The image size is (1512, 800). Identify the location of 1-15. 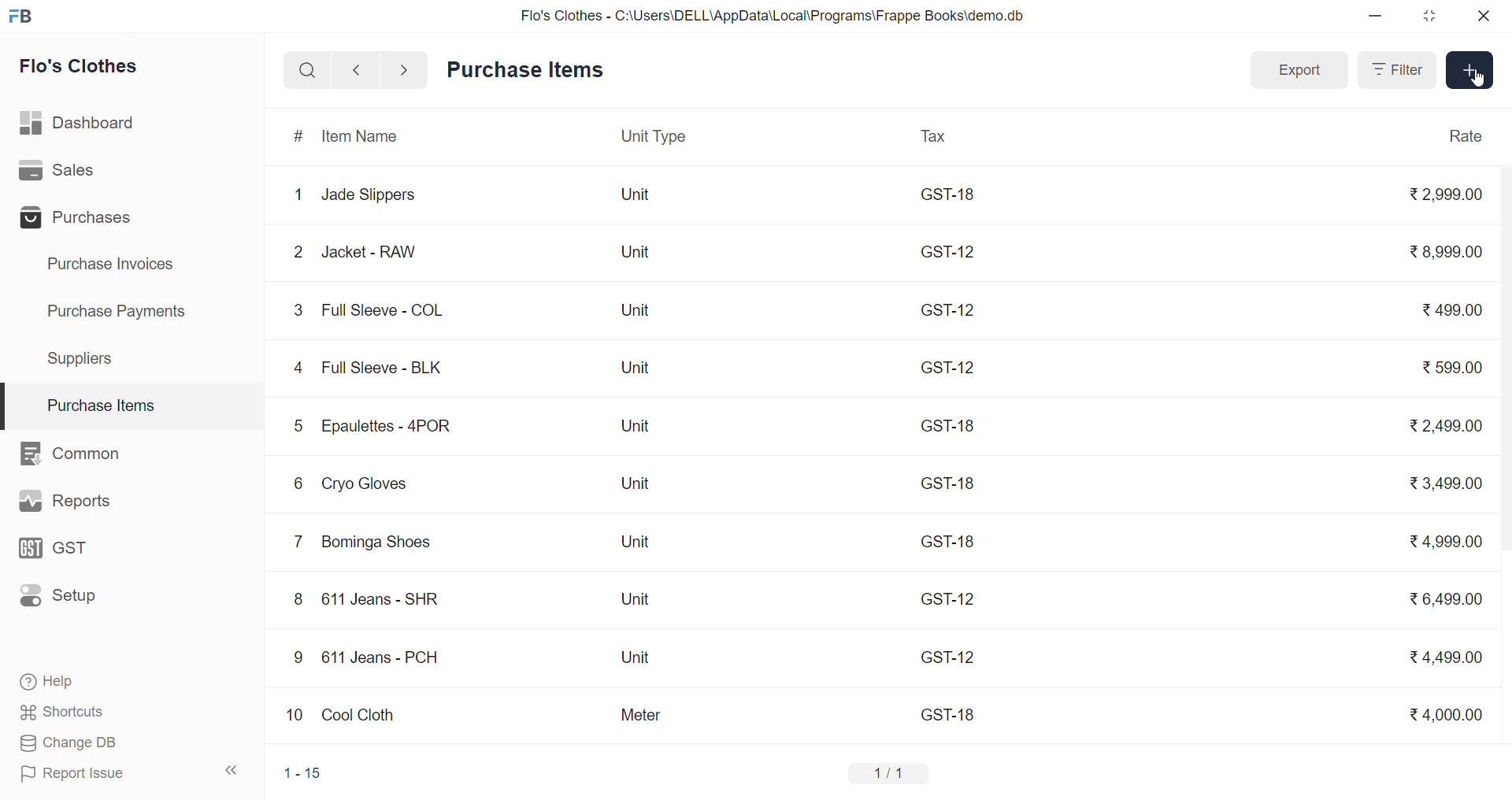
(302, 774).